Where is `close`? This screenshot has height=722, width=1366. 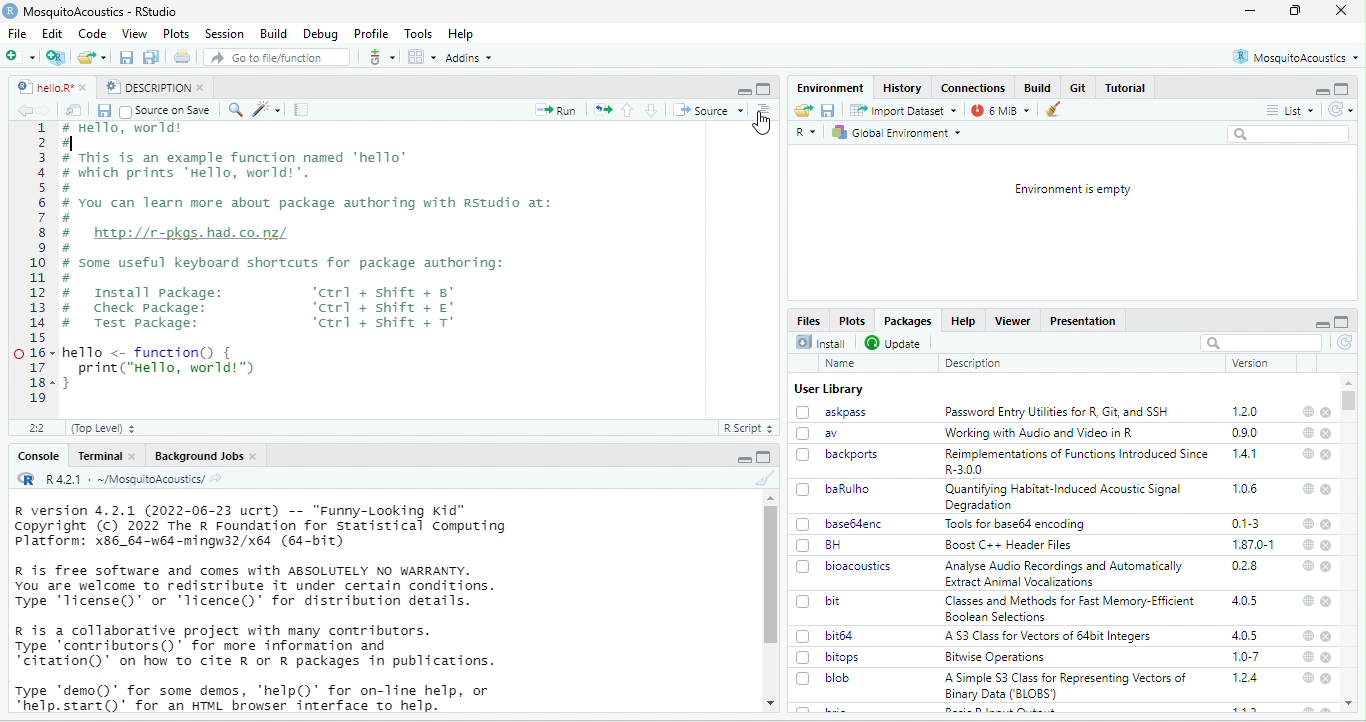
close is located at coordinates (1327, 434).